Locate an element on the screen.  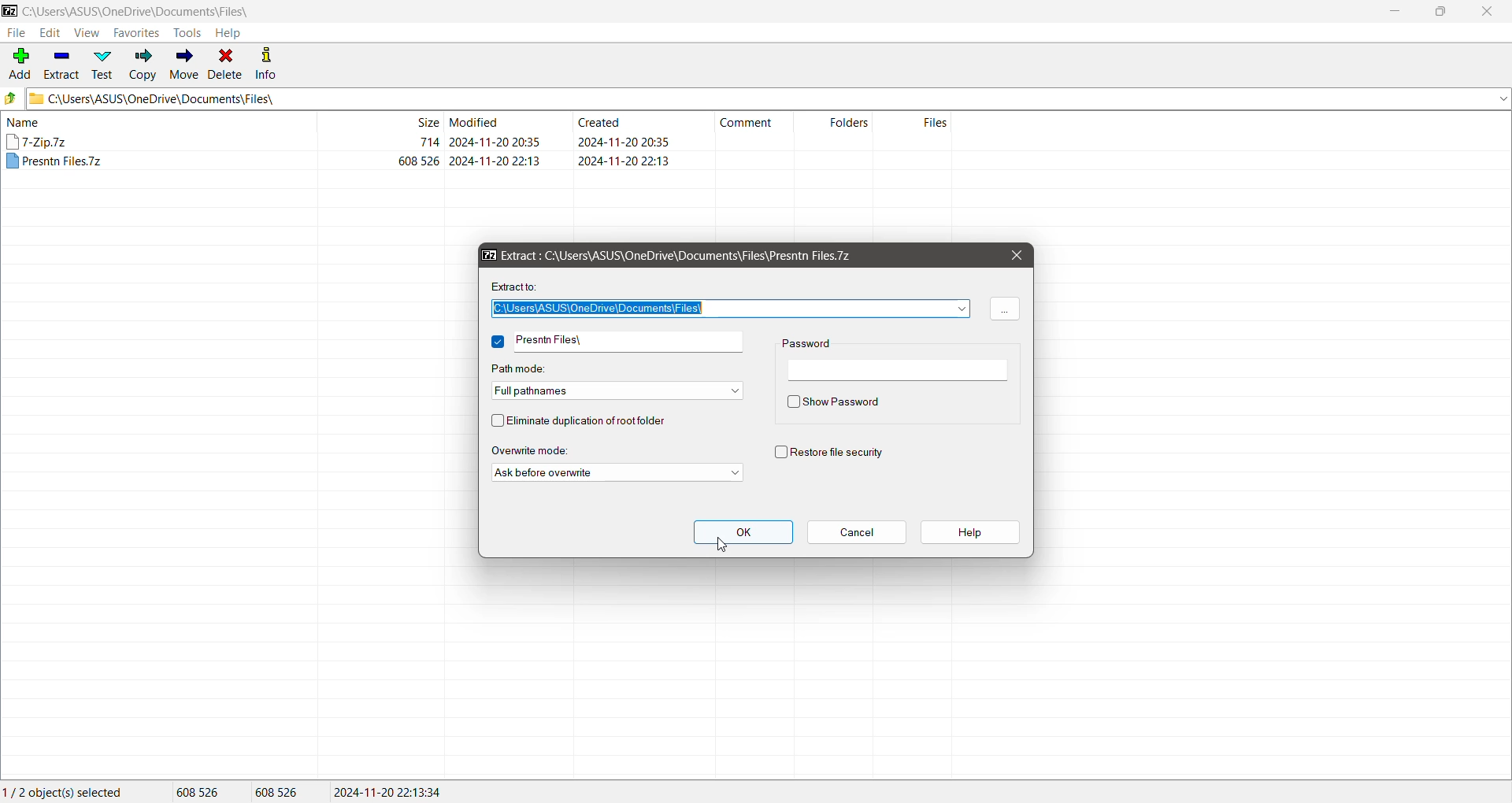
Current Folder Path is located at coordinates (139, 10).